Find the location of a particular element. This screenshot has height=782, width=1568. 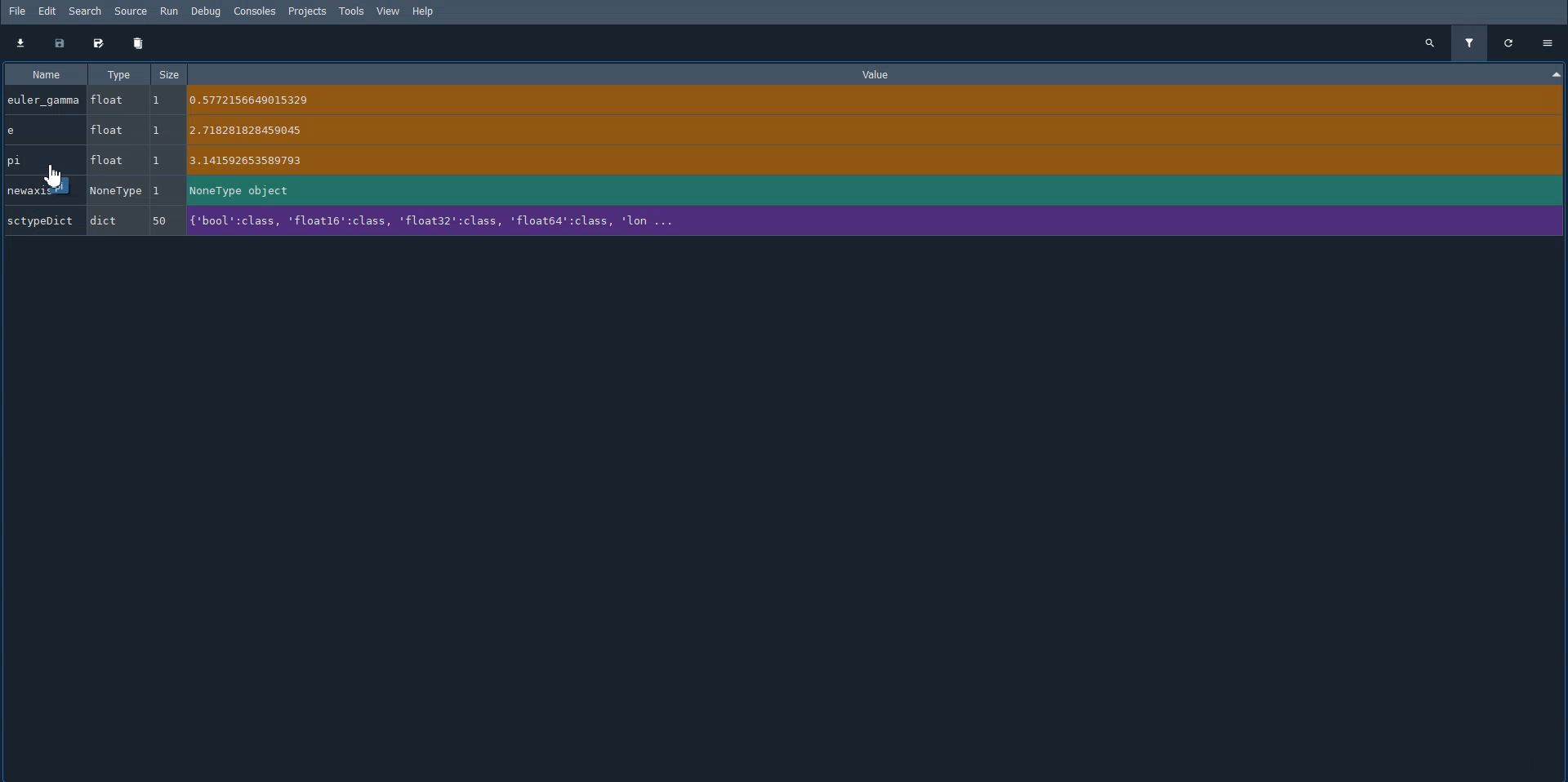

Options is located at coordinates (1548, 42).